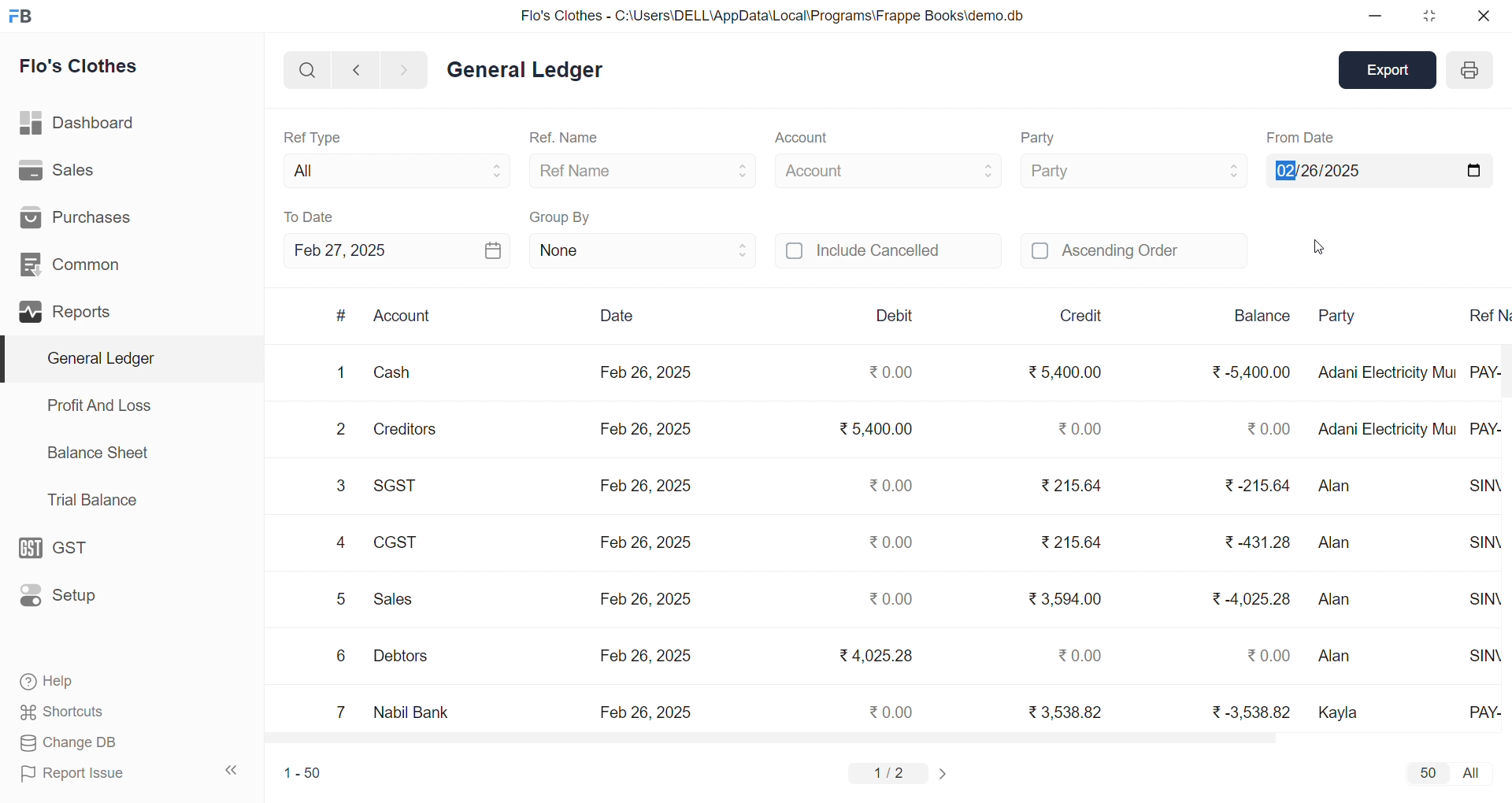 The width and height of the screenshot is (1512, 803). Describe the element at coordinates (1081, 654) in the screenshot. I see `₹0.00` at that location.